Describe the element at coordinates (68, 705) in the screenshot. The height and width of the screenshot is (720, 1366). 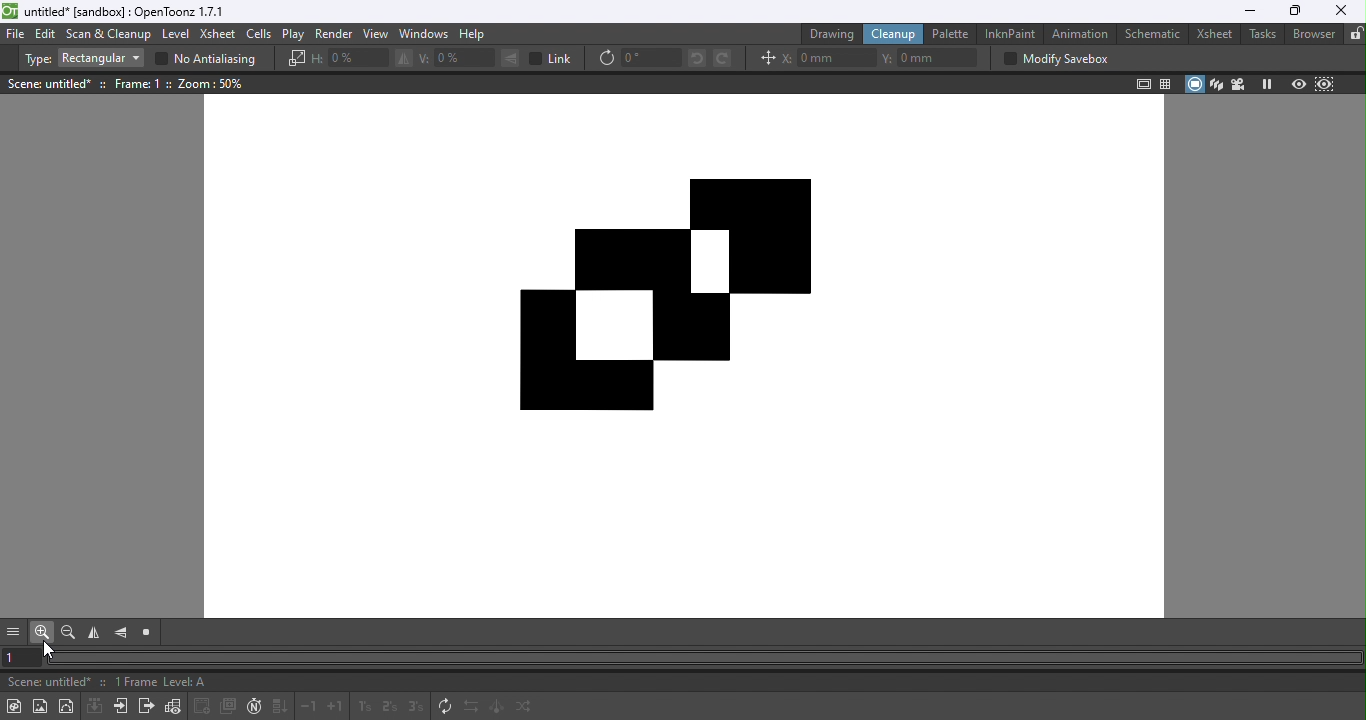
I see `New vector level` at that location.